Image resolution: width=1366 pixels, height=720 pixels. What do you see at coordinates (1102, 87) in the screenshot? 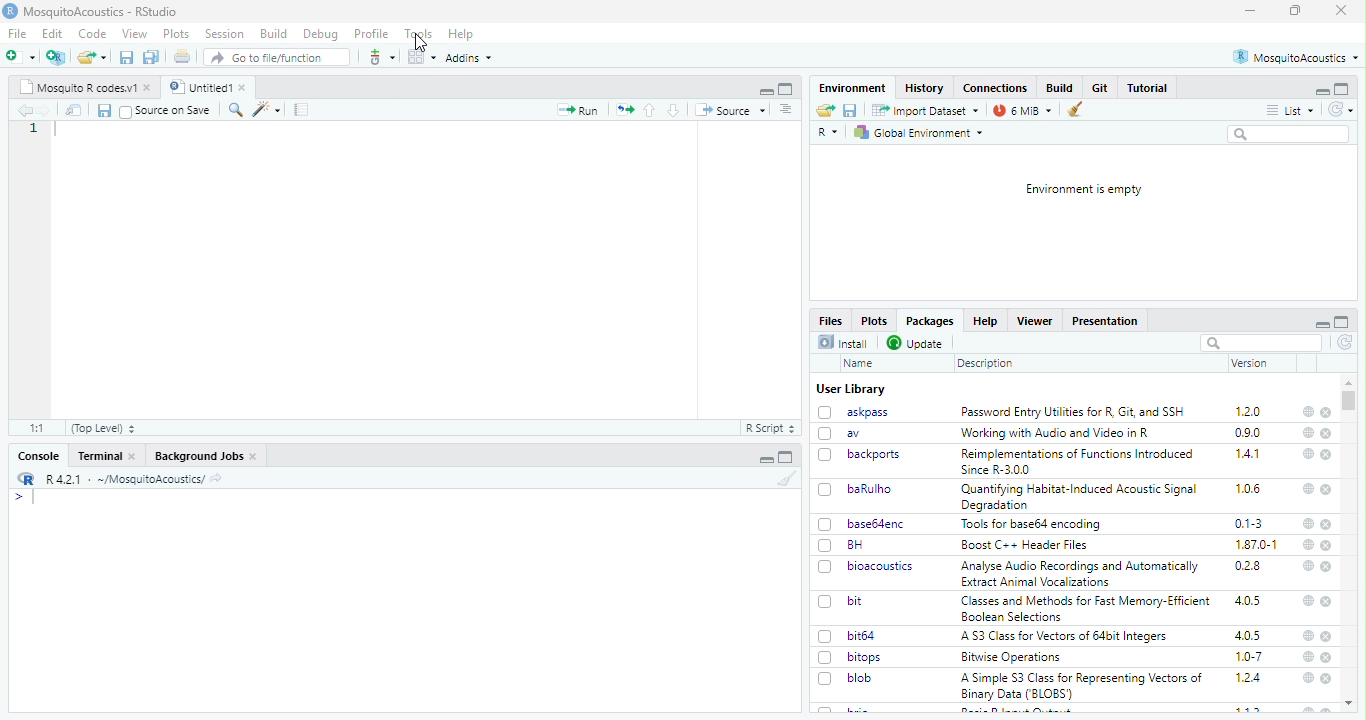
I see `Git` at bounding box center [1102, 87].